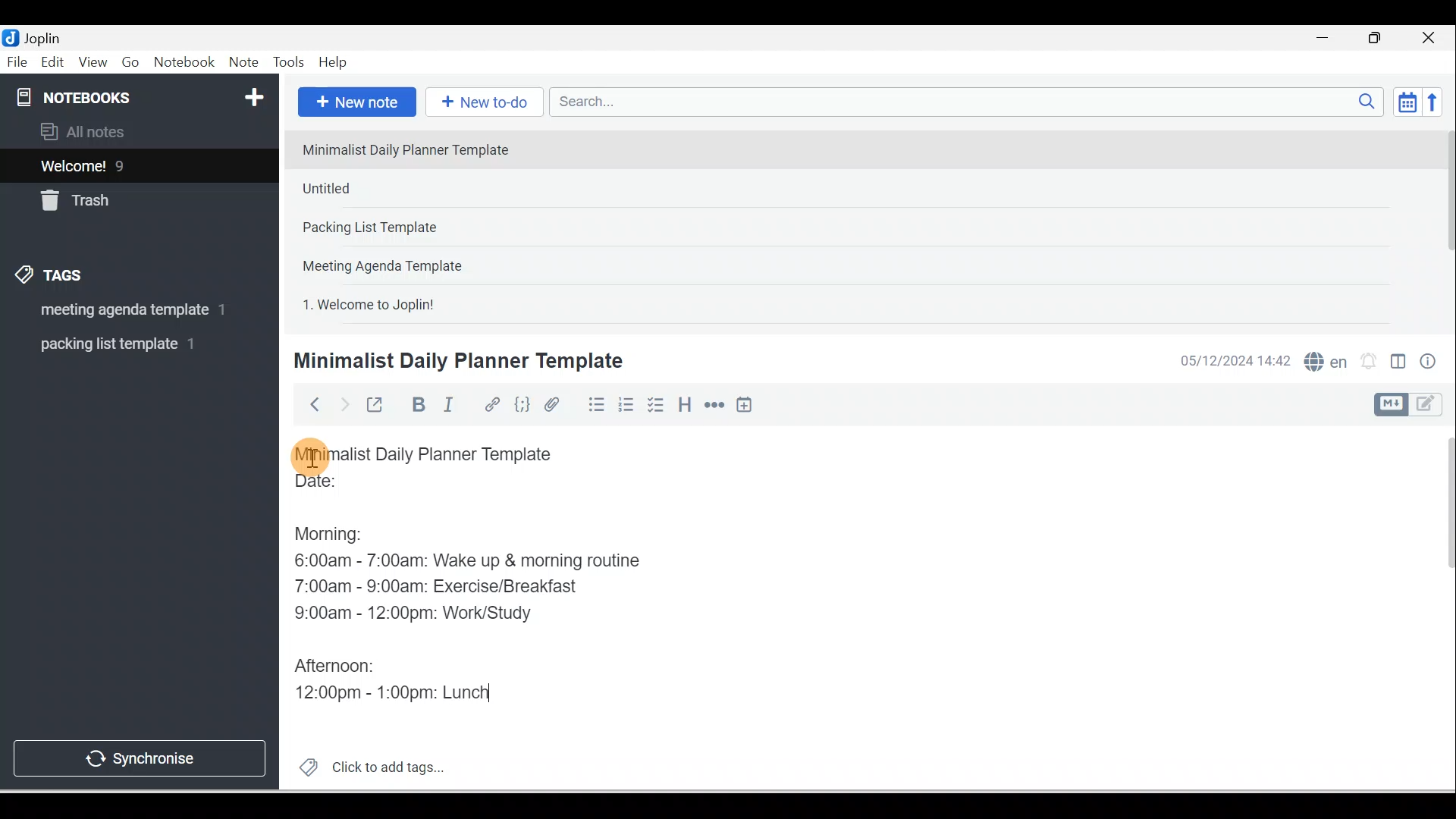  What do you see at coordinates (137, 131) in the screenshot?
I see `All notes` at bounding box center [137, 131].